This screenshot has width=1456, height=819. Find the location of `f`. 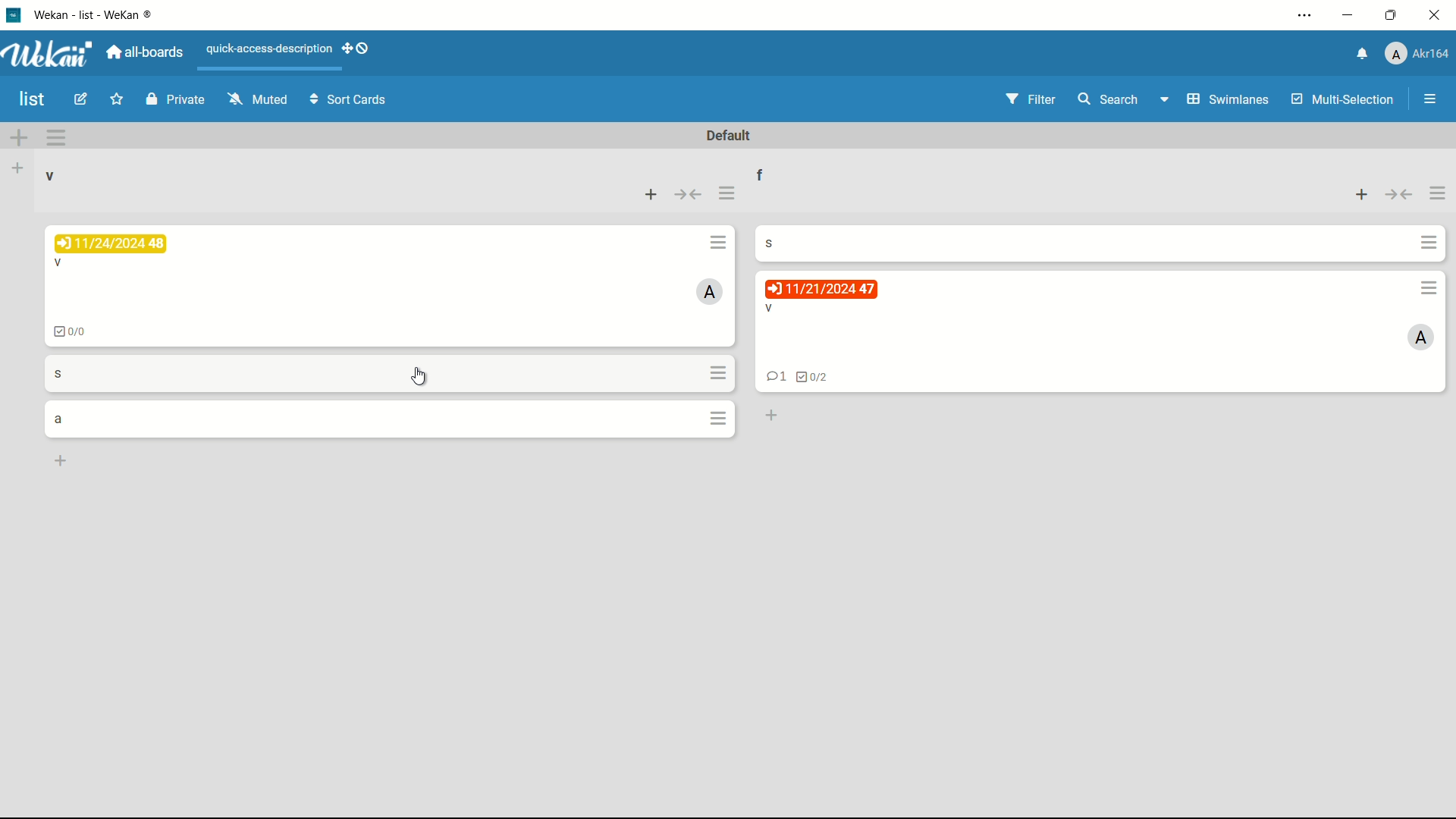

f is located at coordinates (761, 174).